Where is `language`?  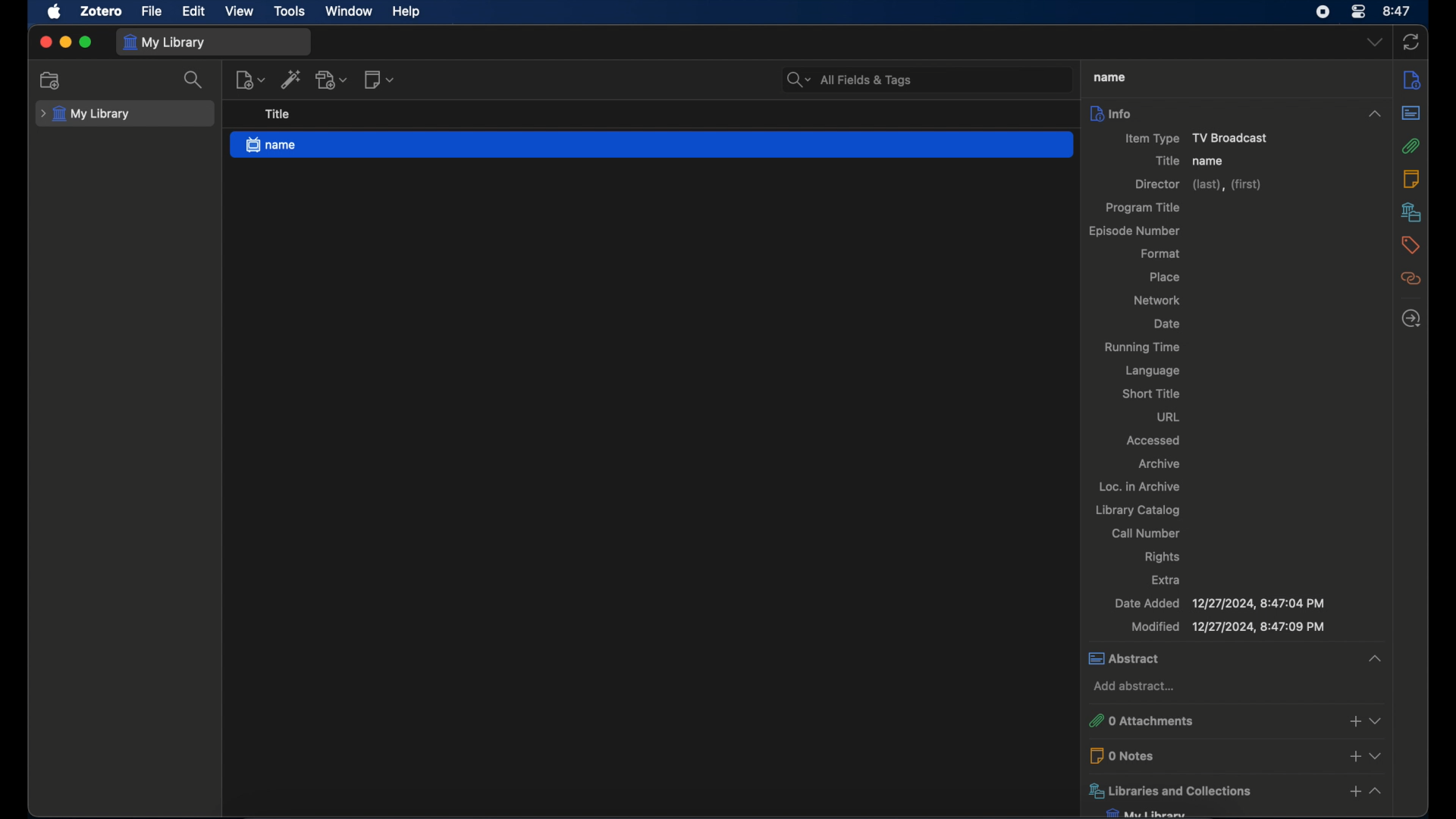
language is located at coordinates (1150, 371).